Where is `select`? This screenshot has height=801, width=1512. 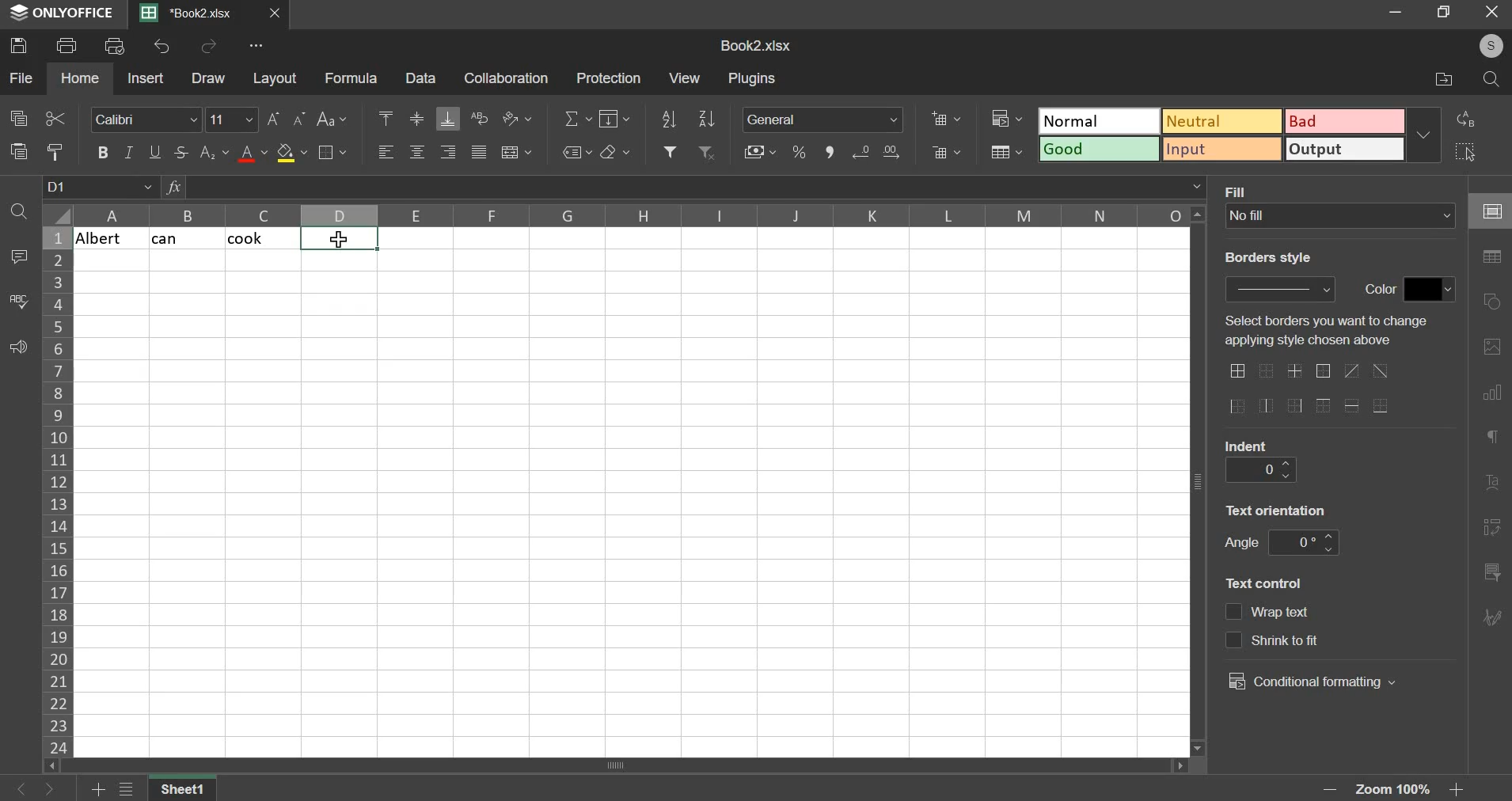
select is located at coordinates (1474, 152).